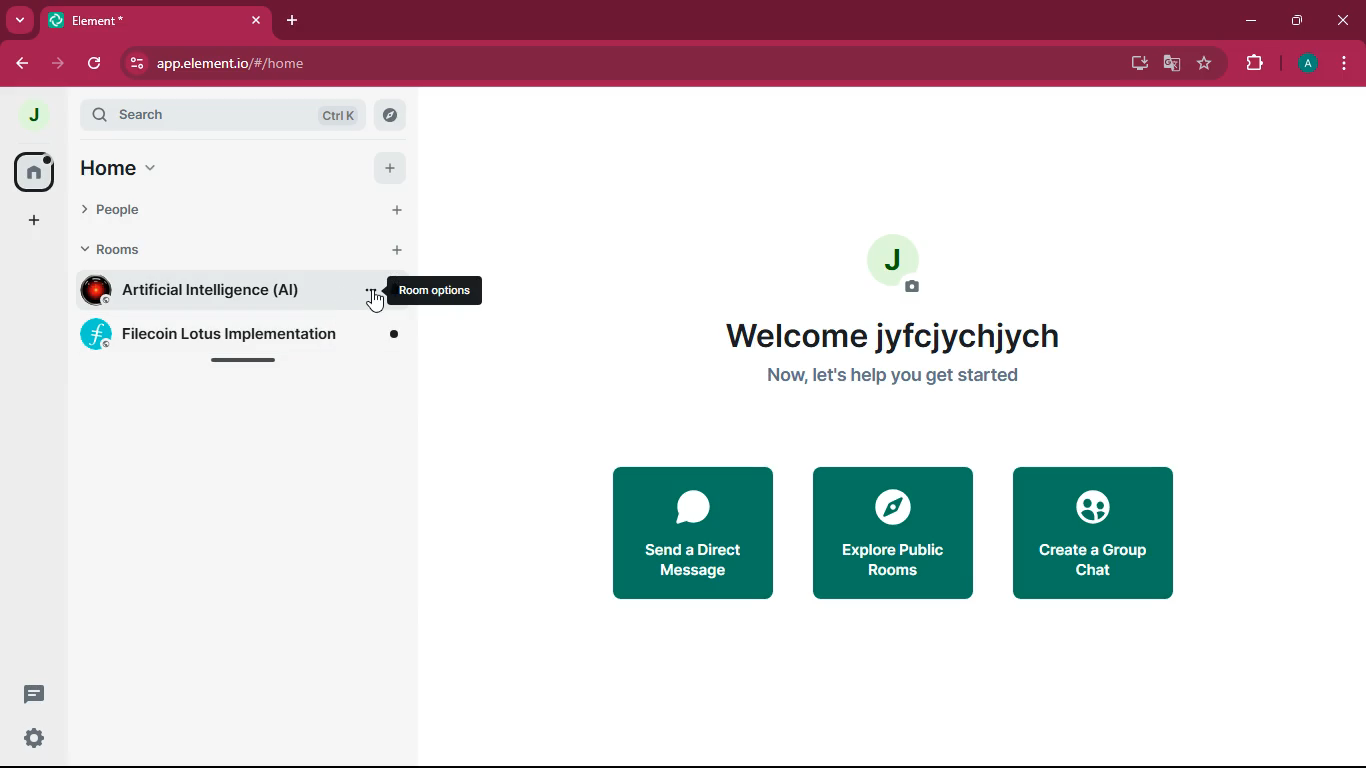 This screenshot has width=1366, height=768. I want to click on desktop, so click(1136, 62).